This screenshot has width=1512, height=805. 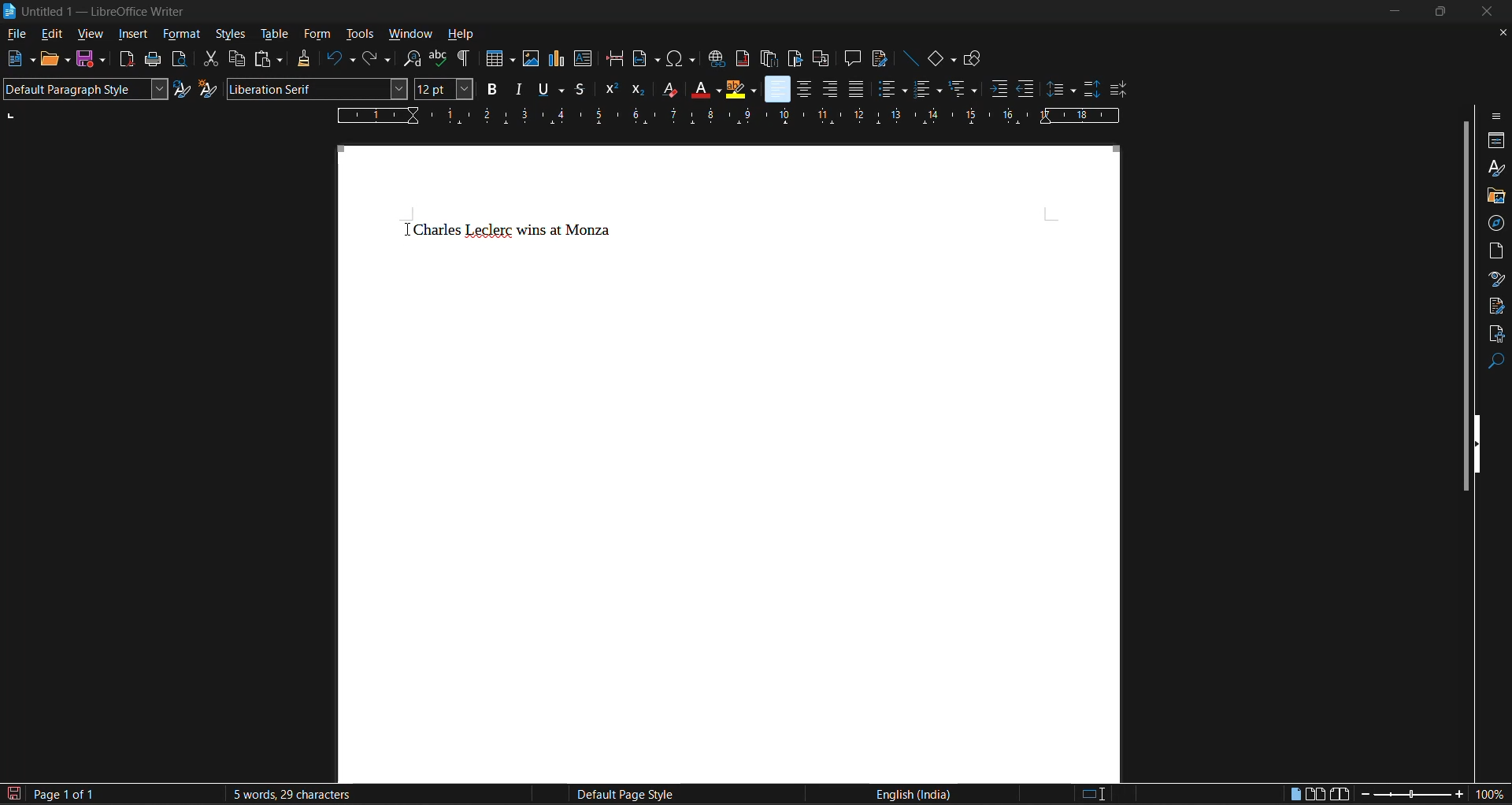 What do you see at coordinates (319, 35) in the screenshot?
I see `form` at bounding box center [319, 35].